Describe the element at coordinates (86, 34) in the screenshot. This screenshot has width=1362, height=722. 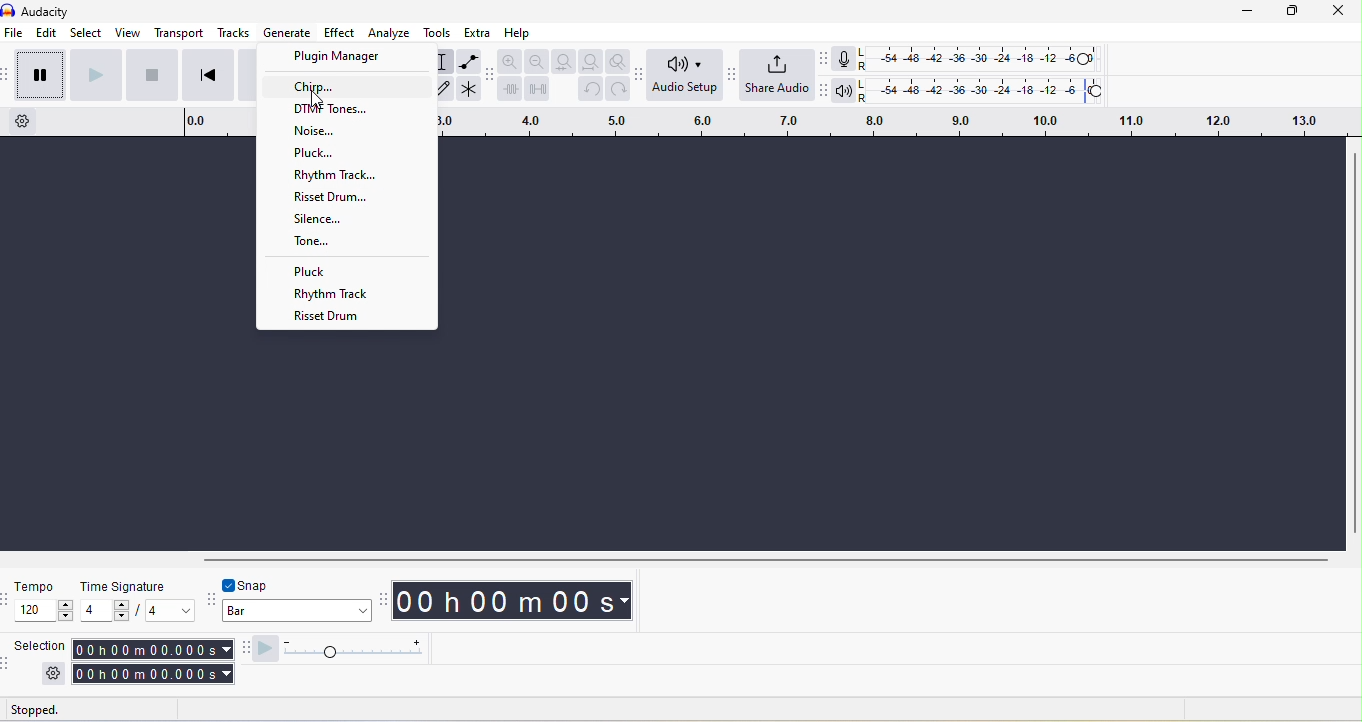
I see `select` at that location.